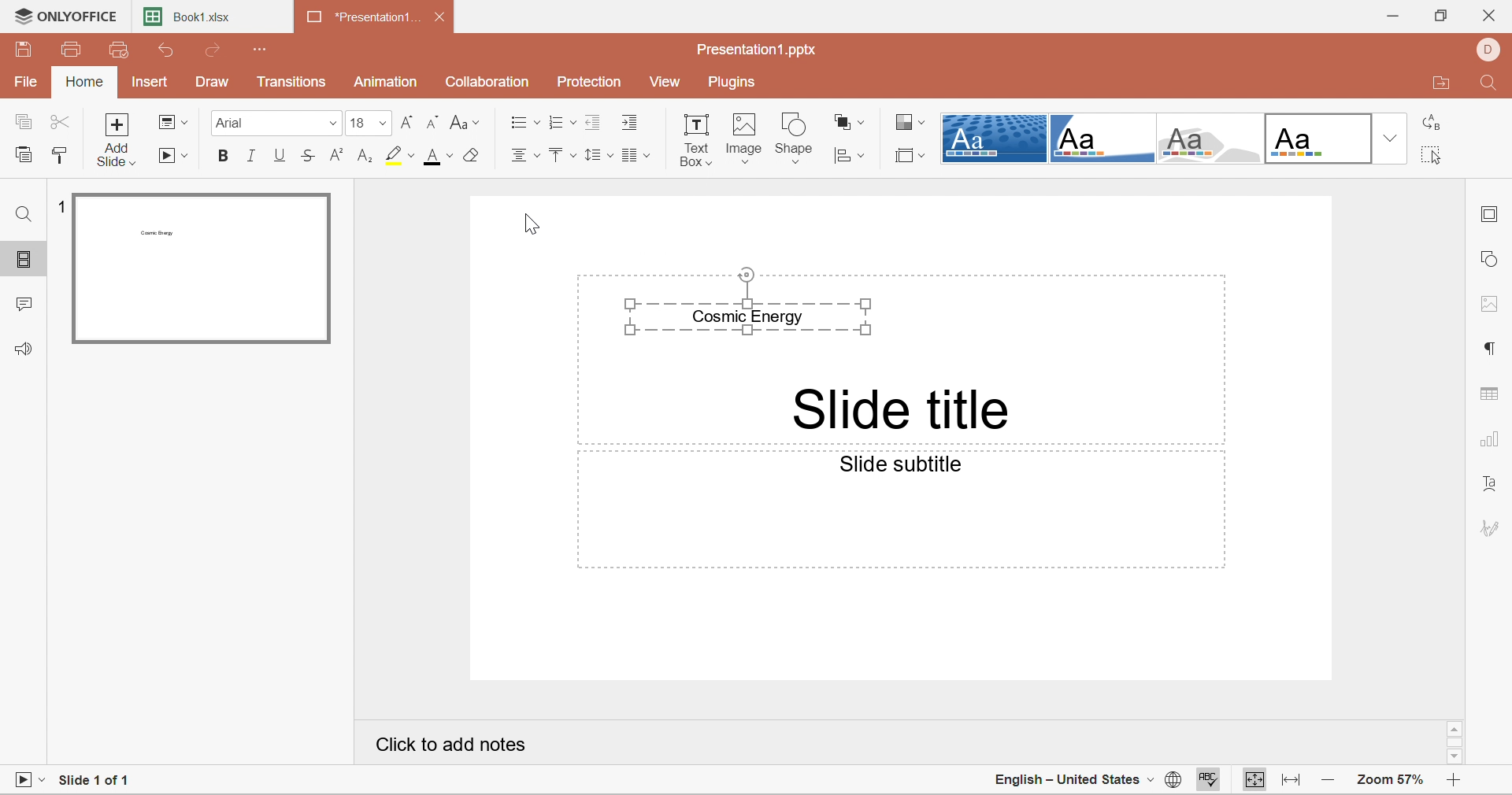 The width and height of the screenshot is (1512, 795). What do you see at coordinates (220, 156) in the screenshot?
I see `Bold` at bounding box center [220, 156].